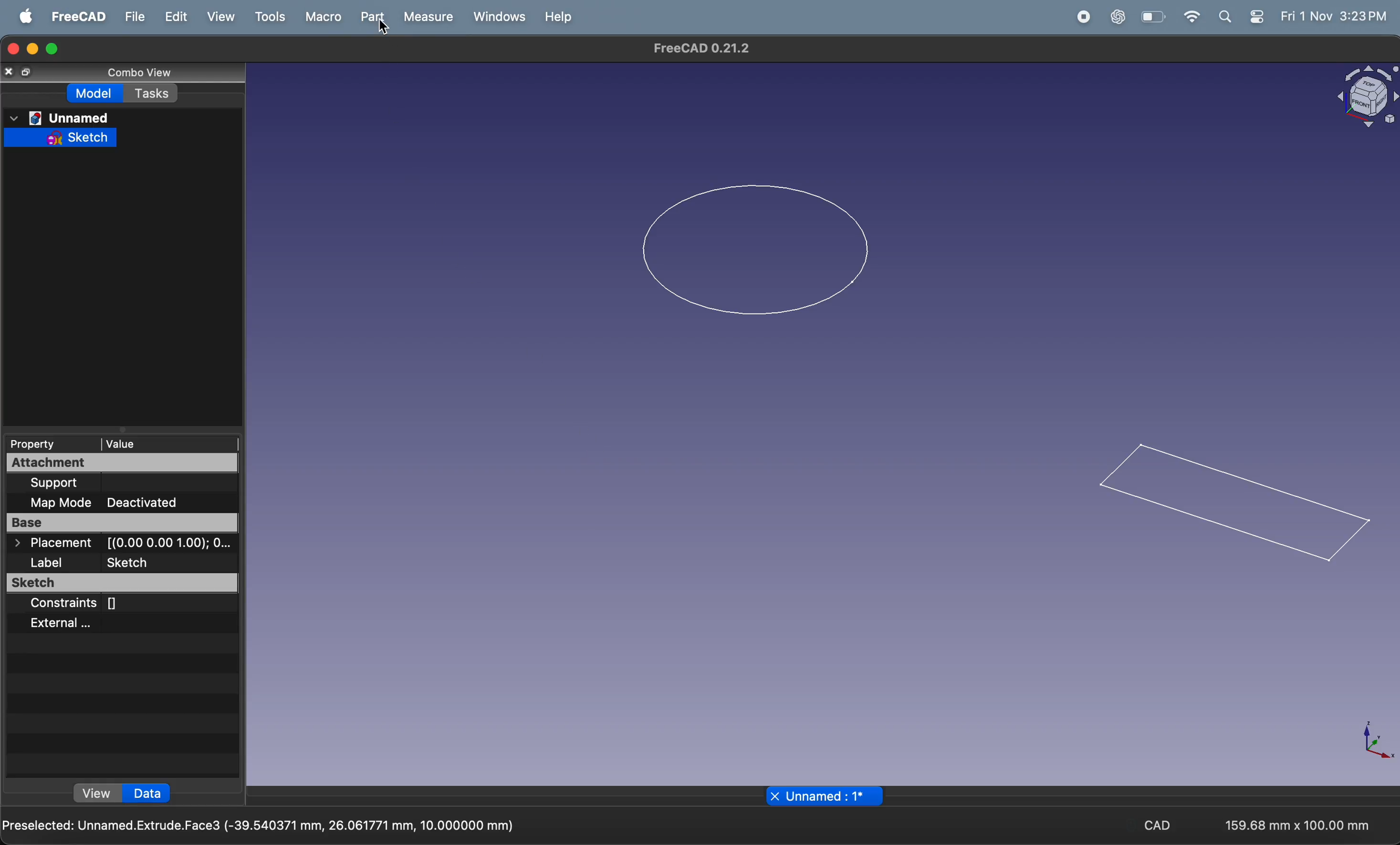 This screenshot has height=845, width=1400. I want to click on Constraints [], so click(82, 605).